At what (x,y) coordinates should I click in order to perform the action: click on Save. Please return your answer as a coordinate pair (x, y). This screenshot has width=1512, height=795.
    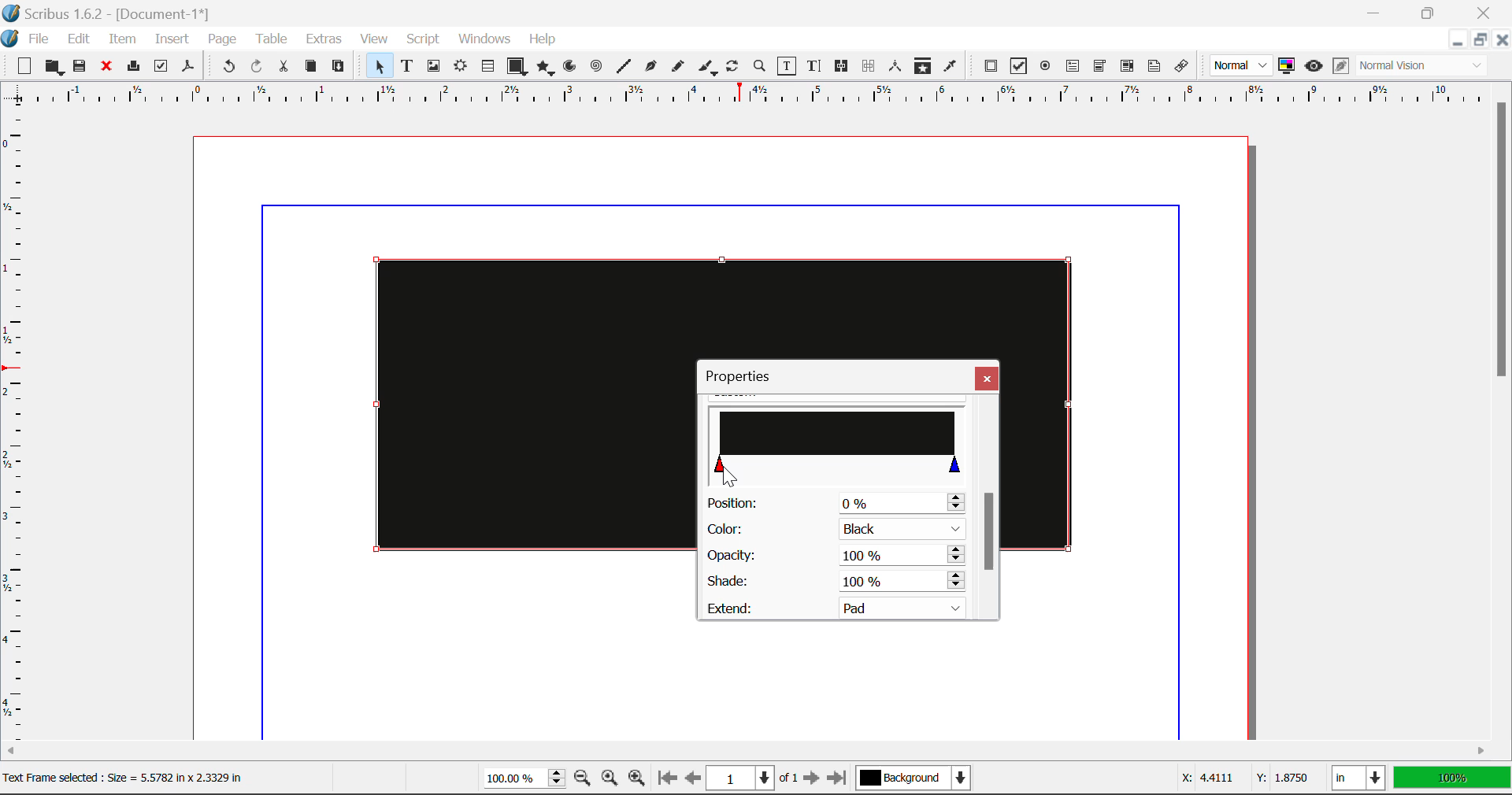
    Looking at the image, I should click on (81, 67).